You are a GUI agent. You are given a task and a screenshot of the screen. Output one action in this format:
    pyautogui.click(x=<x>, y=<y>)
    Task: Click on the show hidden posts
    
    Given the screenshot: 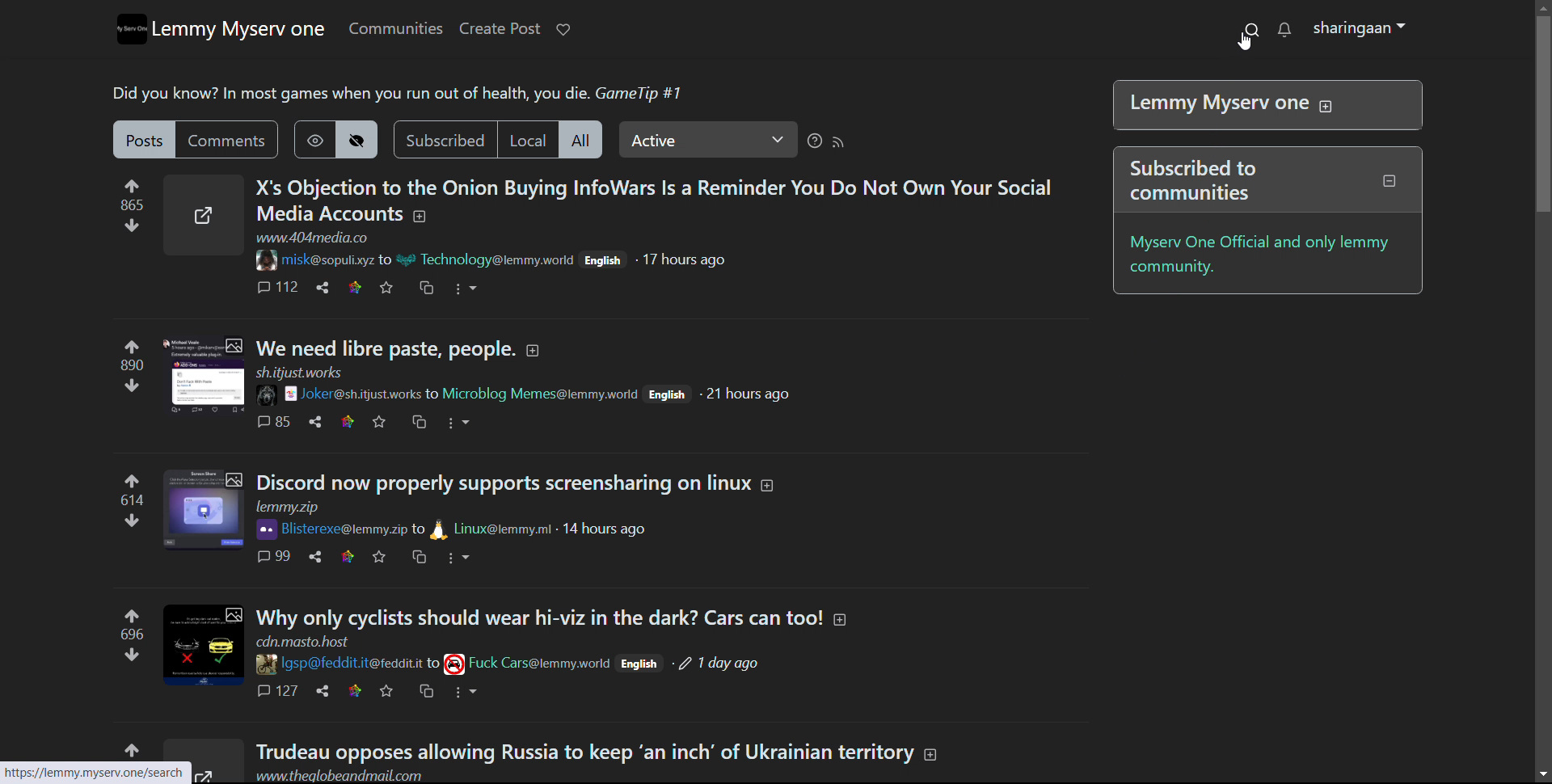 What is the action you would take?
    pyautogui.click(x=314, y=139)
    